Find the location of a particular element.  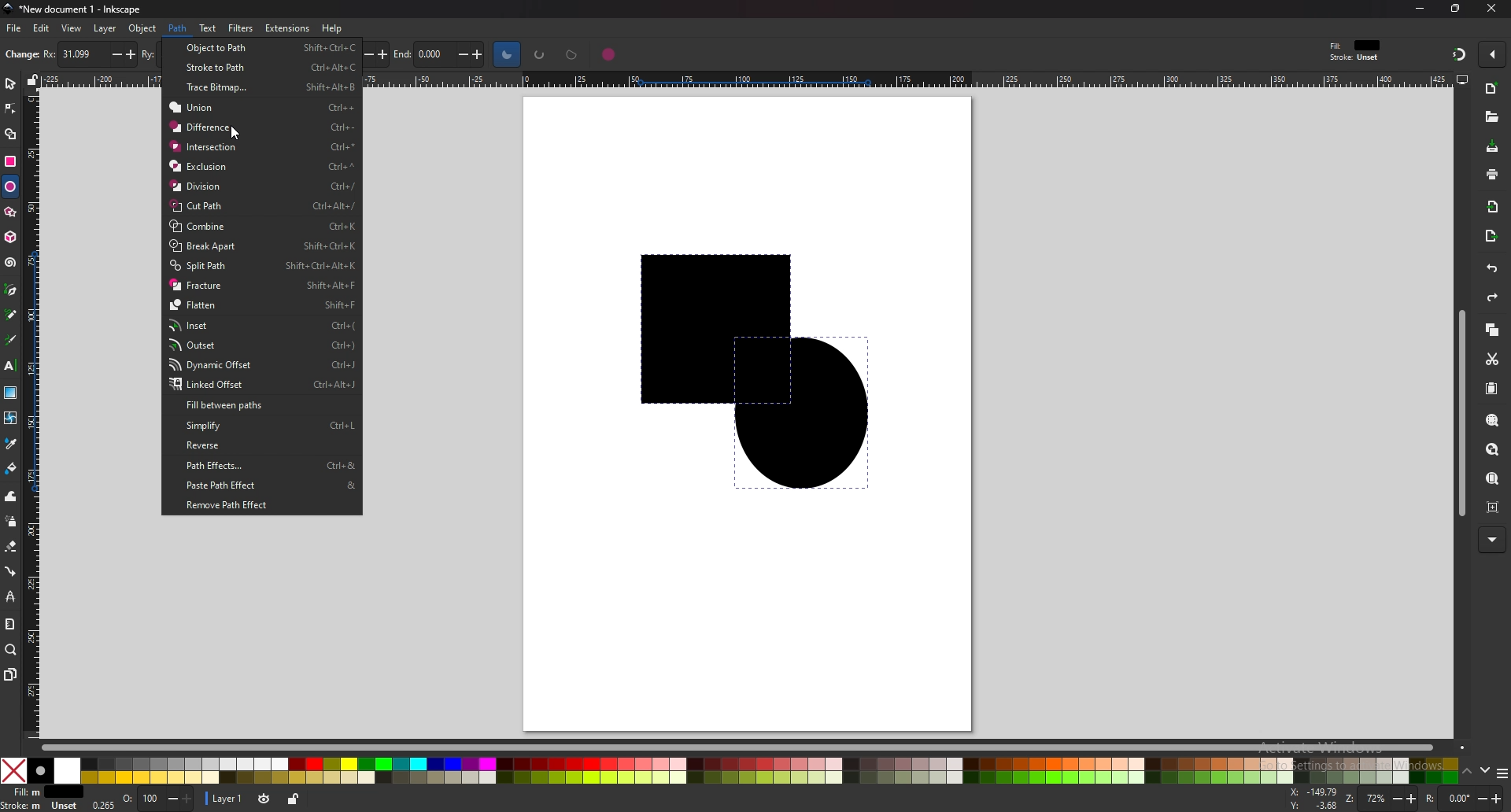

Stroke to Path is located at coordinates (269, 68).